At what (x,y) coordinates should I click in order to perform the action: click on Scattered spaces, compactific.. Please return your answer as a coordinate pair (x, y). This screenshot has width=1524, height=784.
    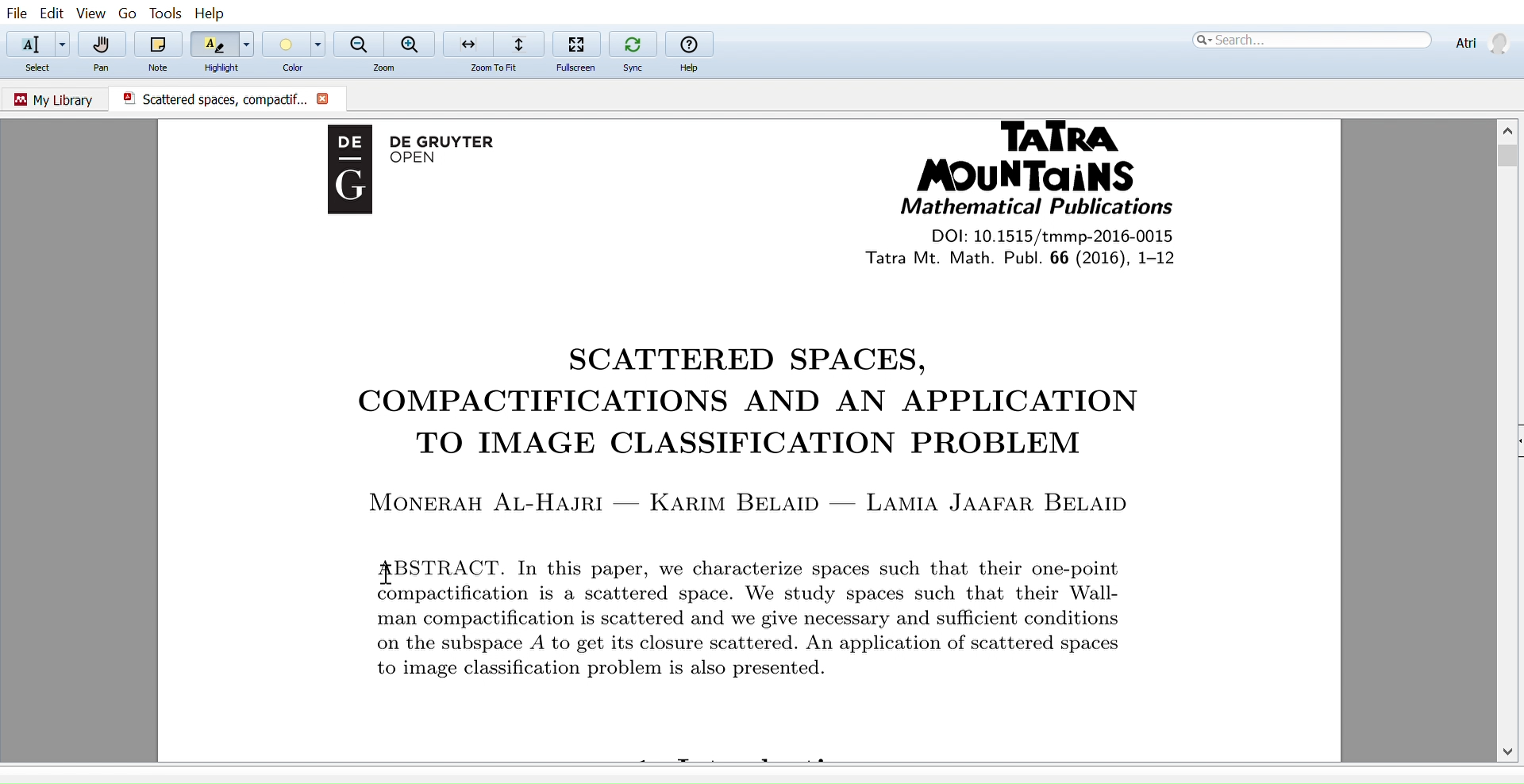
    Looking at the image, I should click on (208, 98).